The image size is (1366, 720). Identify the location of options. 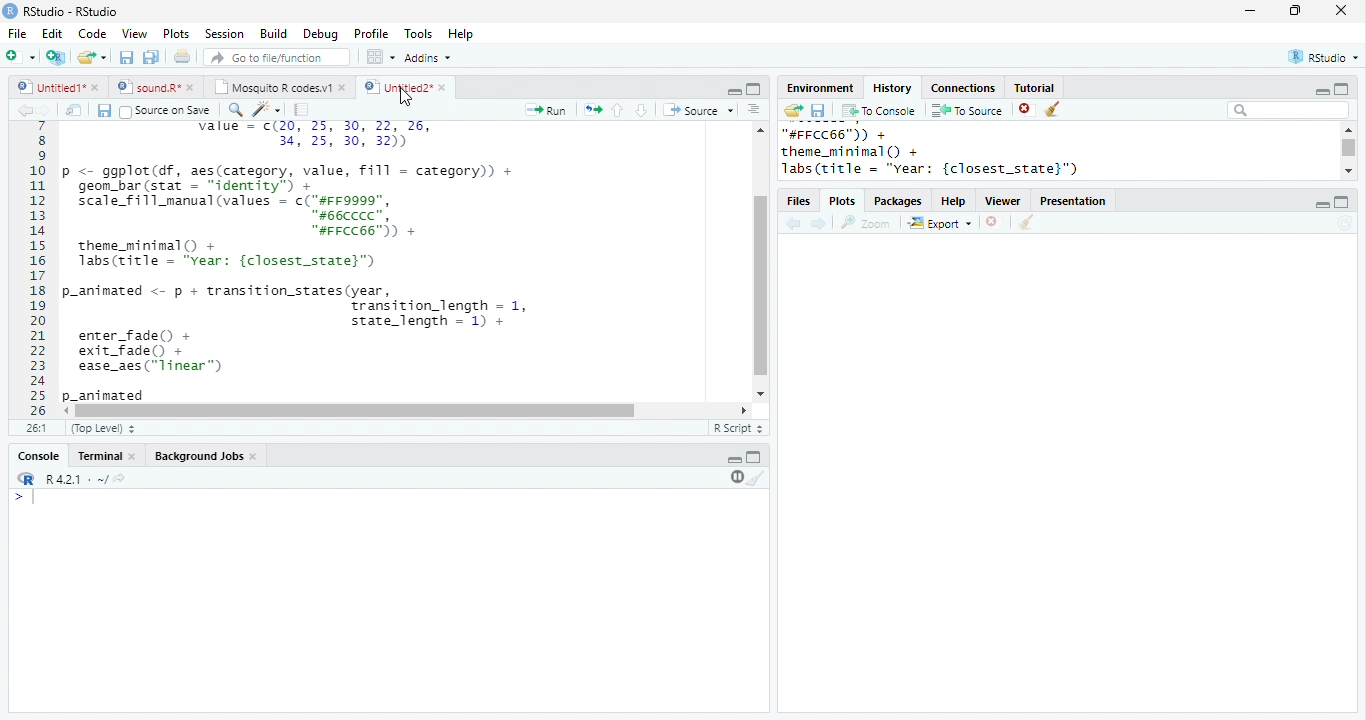
(752, 109).